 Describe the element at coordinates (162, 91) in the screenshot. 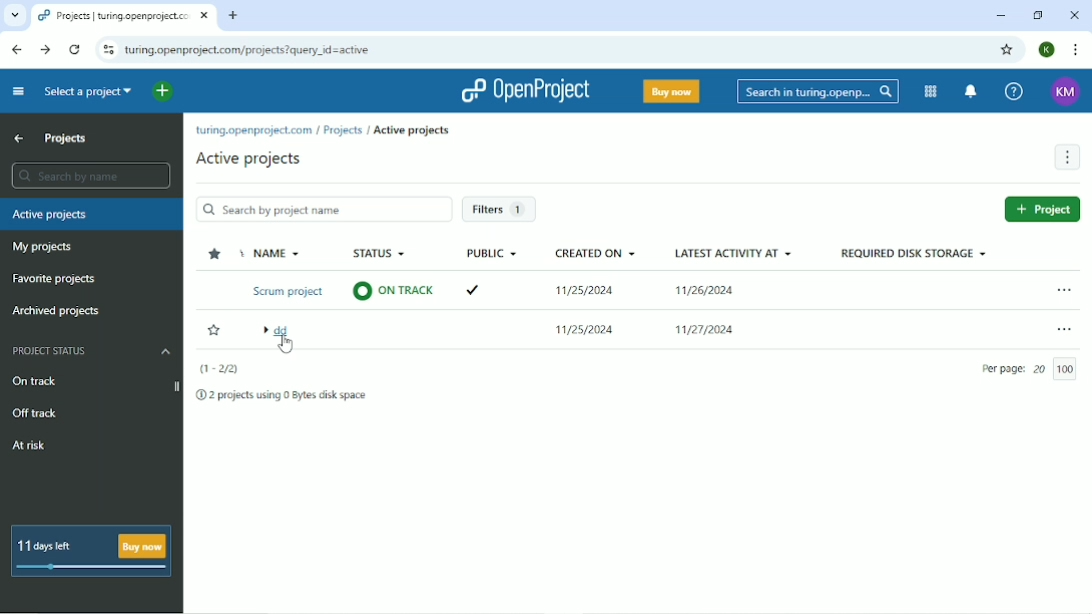

I see `Open quick add menu` at that location.